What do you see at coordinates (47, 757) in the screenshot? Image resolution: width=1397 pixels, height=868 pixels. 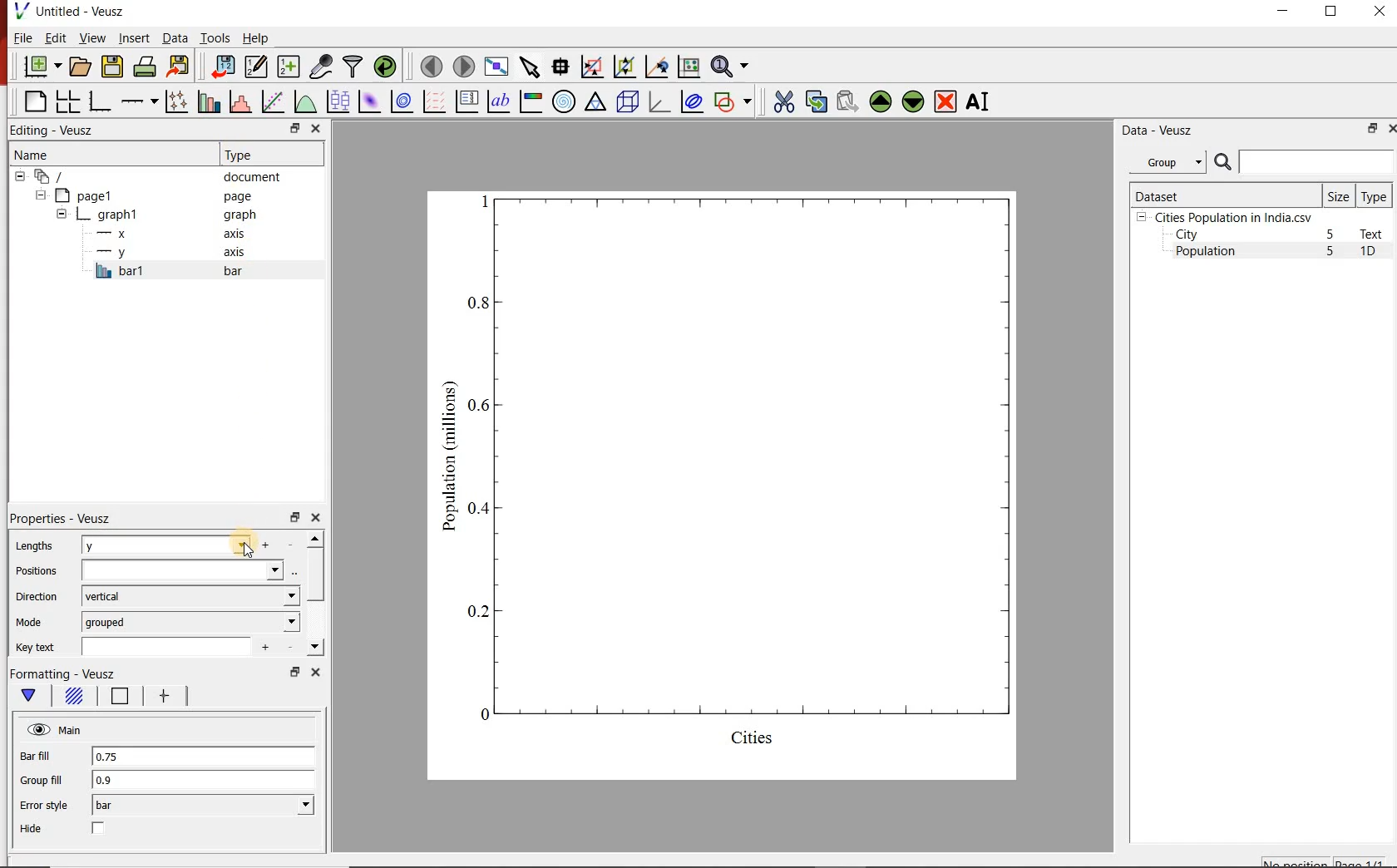 I see `Bar fill` at bounding box center [47, 757].